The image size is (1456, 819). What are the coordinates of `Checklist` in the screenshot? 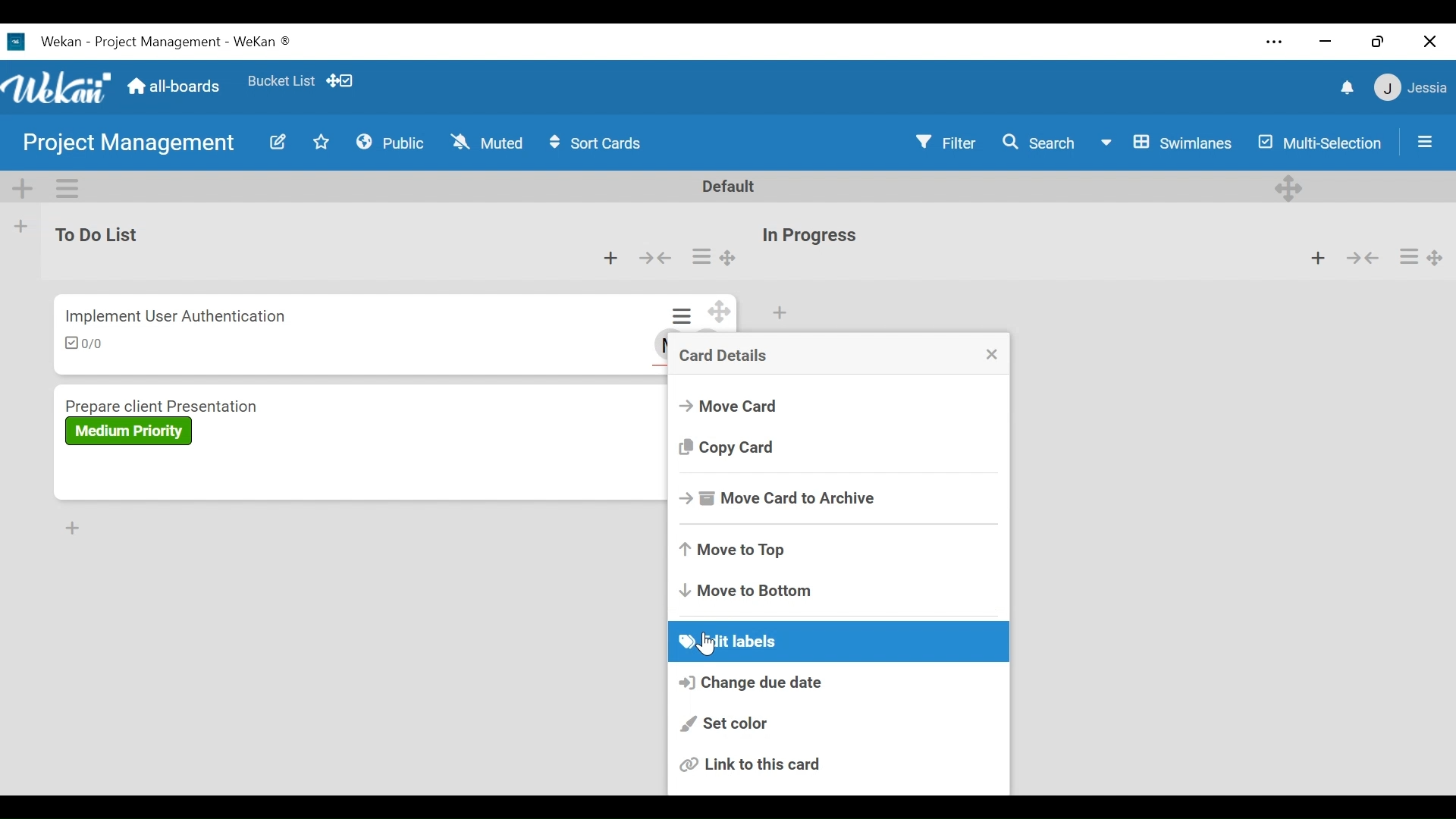 It's located at (89, 344).